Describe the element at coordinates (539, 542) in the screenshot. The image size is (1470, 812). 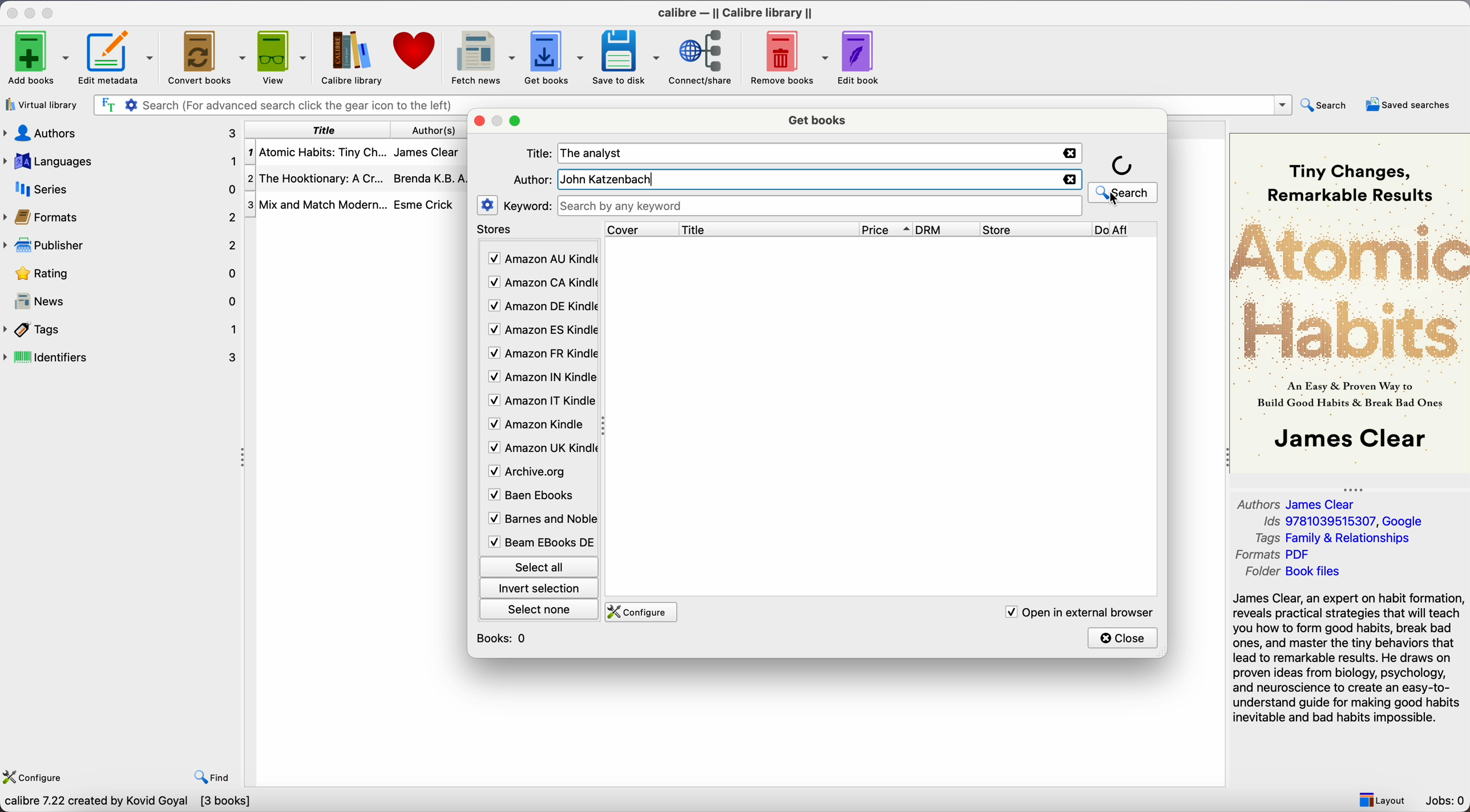
I see `Beam Ebooks DE` at that location.